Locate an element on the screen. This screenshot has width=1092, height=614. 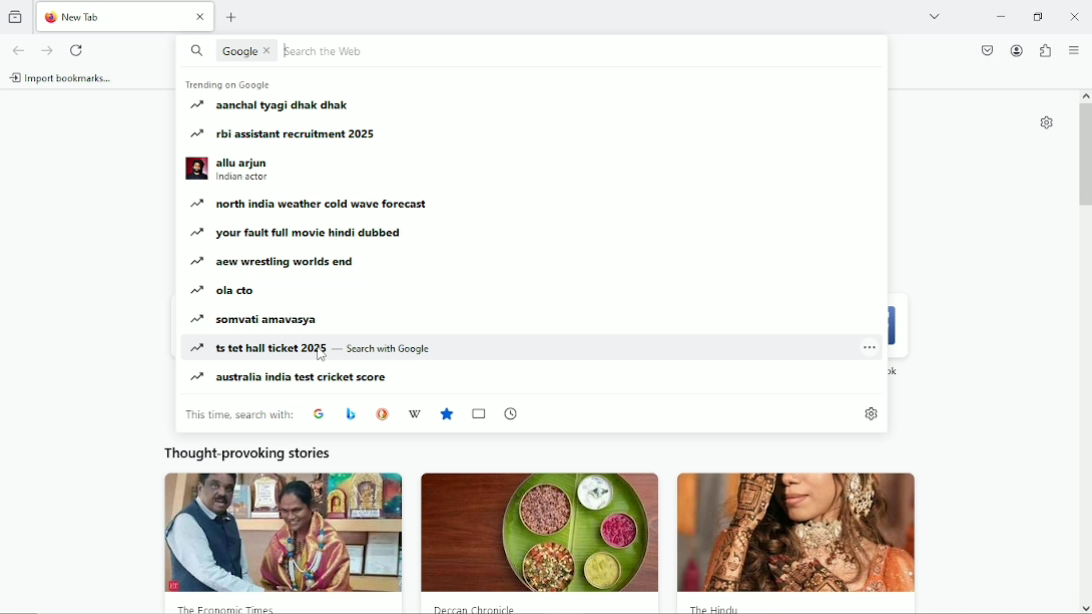
image is located at coordinates (805, 535).